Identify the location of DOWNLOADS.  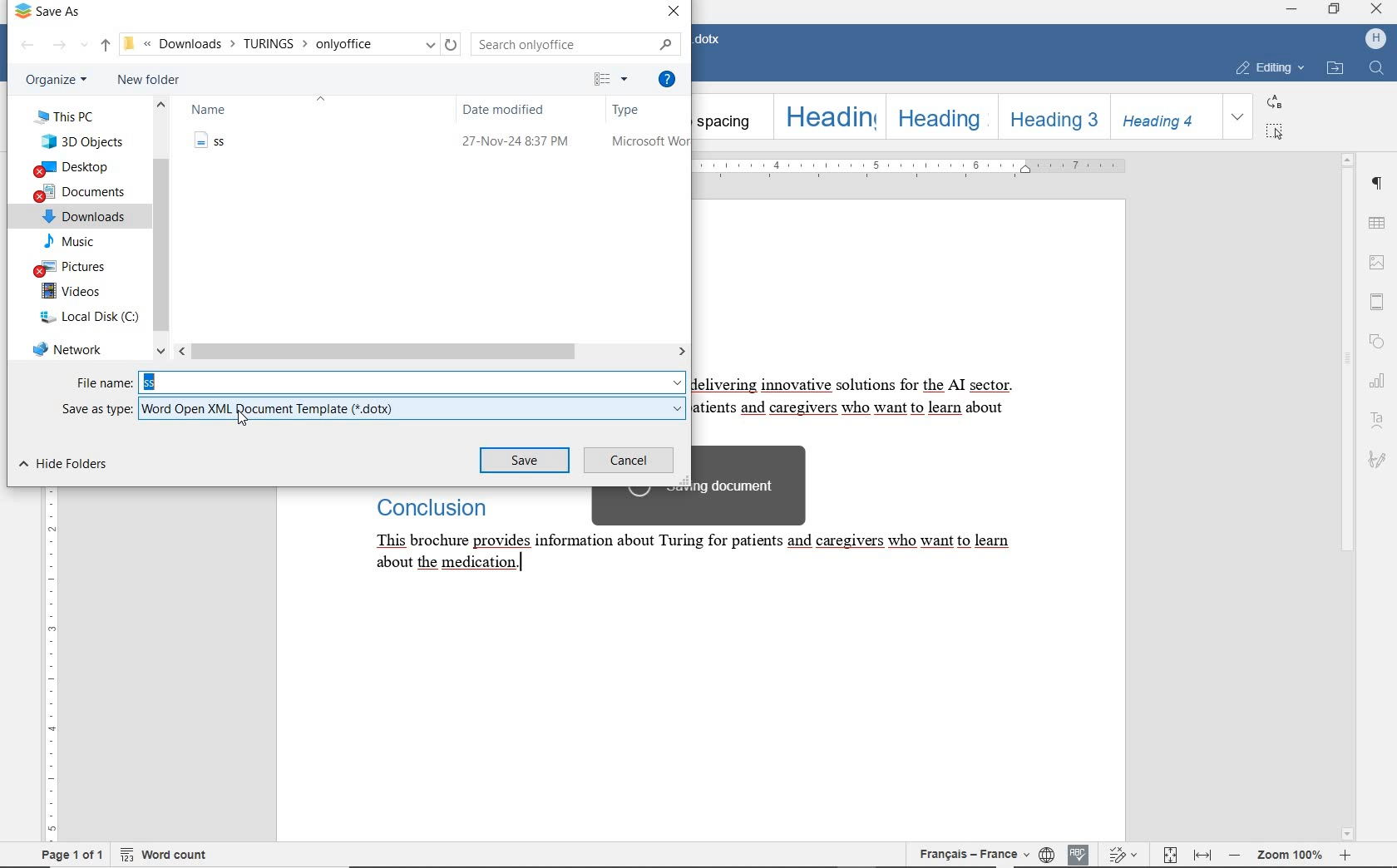
(82, 217).